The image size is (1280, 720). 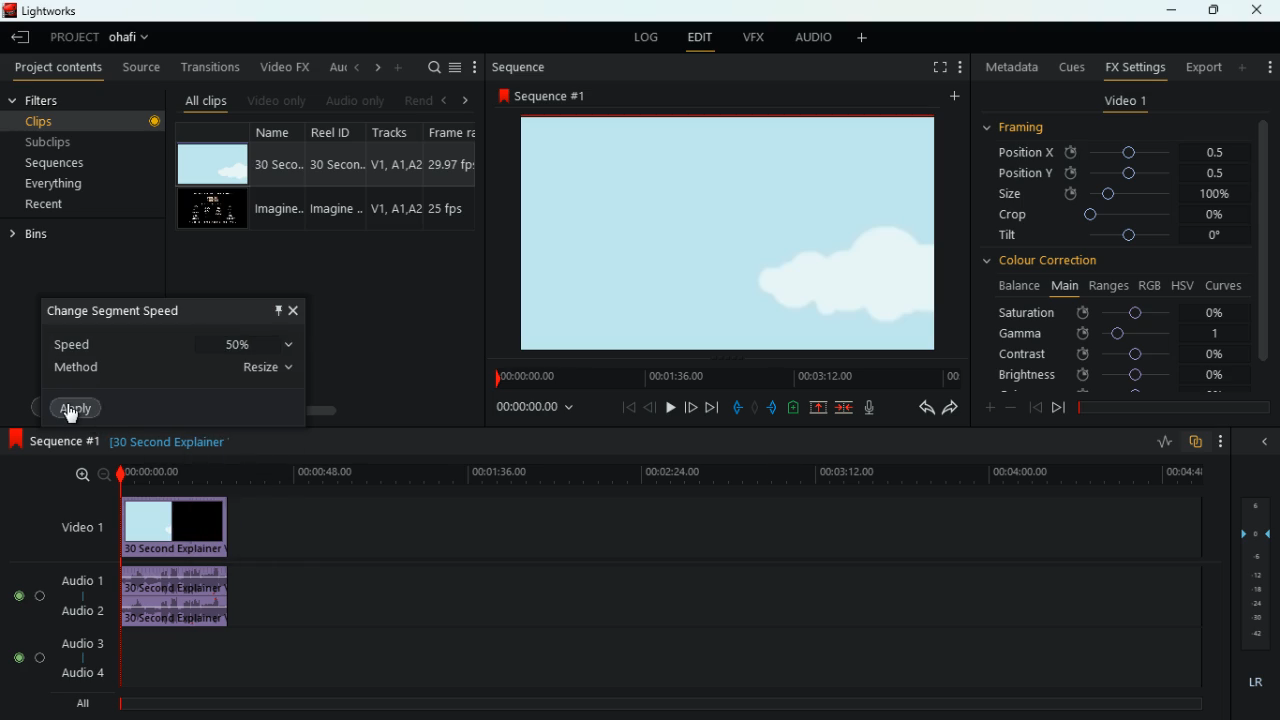 What do you see at coordinates (329, 175) in the screenshot?
I see `reel id` at bounding box center [329, 175].